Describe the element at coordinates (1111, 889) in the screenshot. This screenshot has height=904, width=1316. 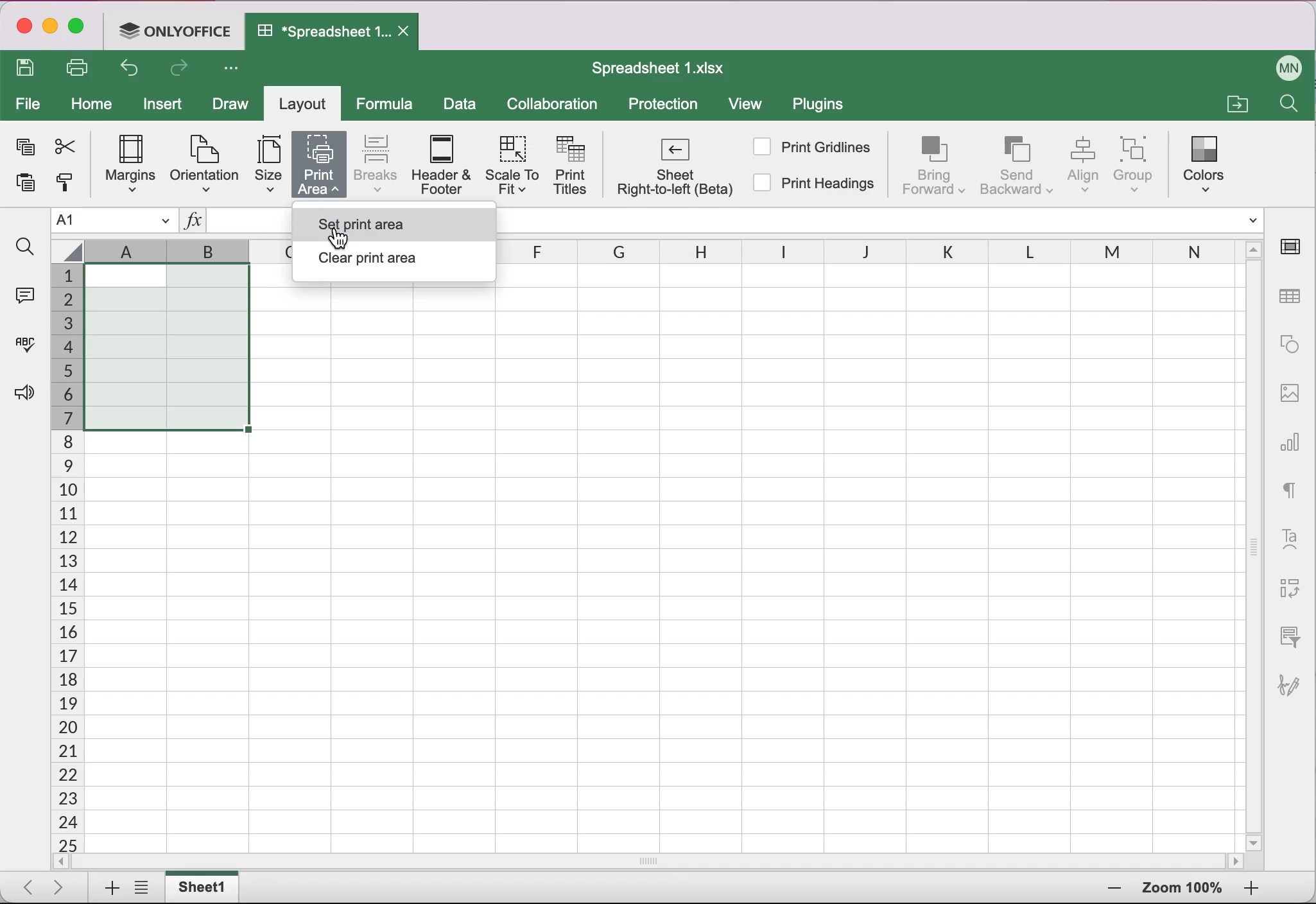
I see `zoom in` at that location.